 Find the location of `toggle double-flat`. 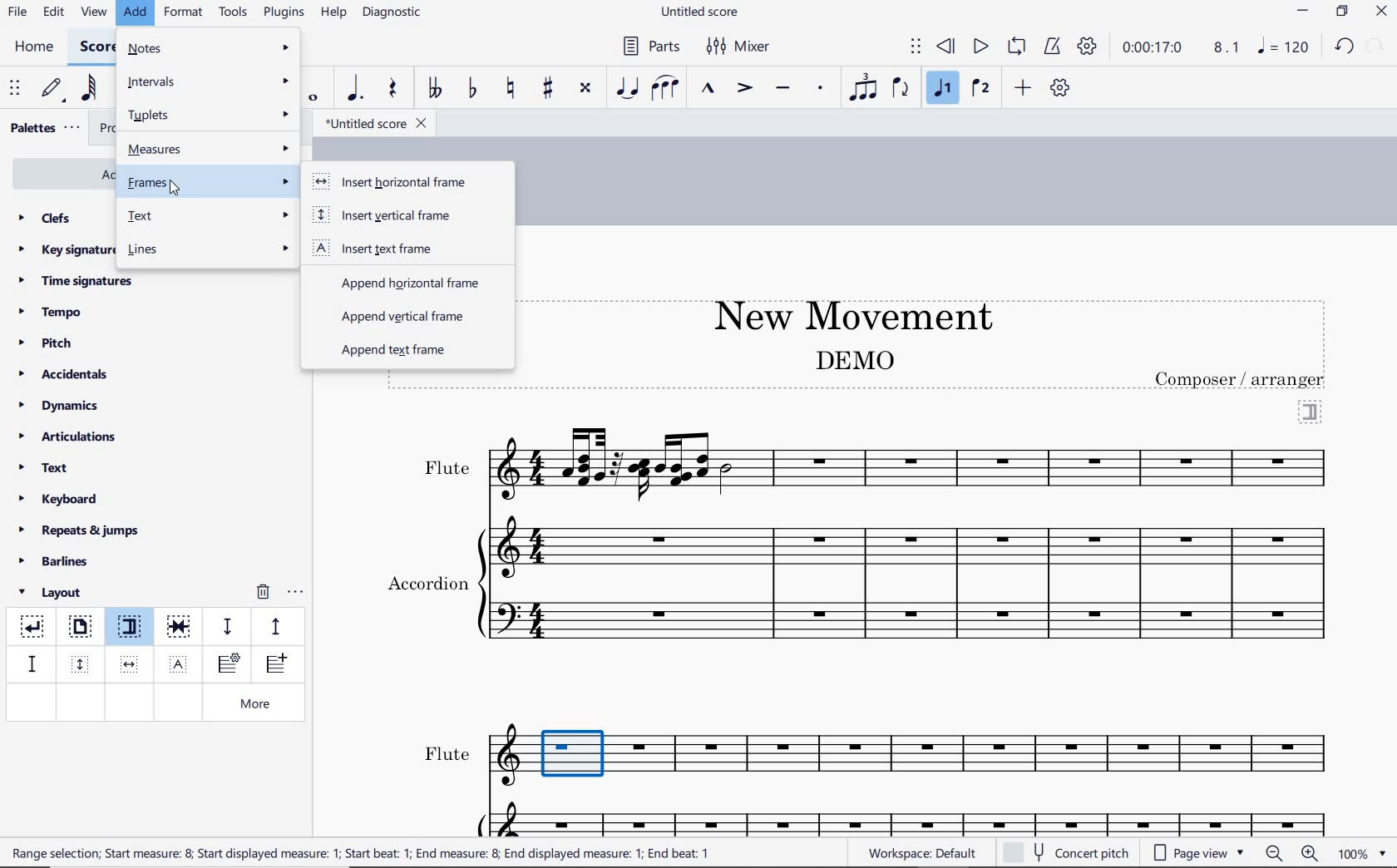

toggle double-flat is located at coordinates (434, 89).